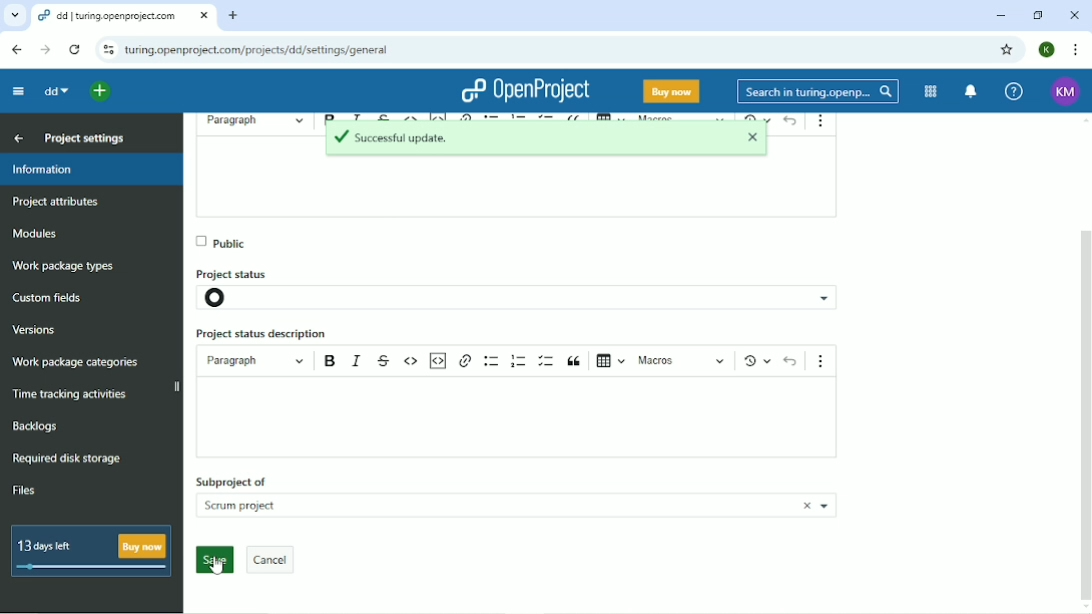 The height and width of the screenshot is (614, 1092). What do you see at coordinates (104, 92) in the screenshot?
I see `Open quick add menu` at bounding box center [104, 92].